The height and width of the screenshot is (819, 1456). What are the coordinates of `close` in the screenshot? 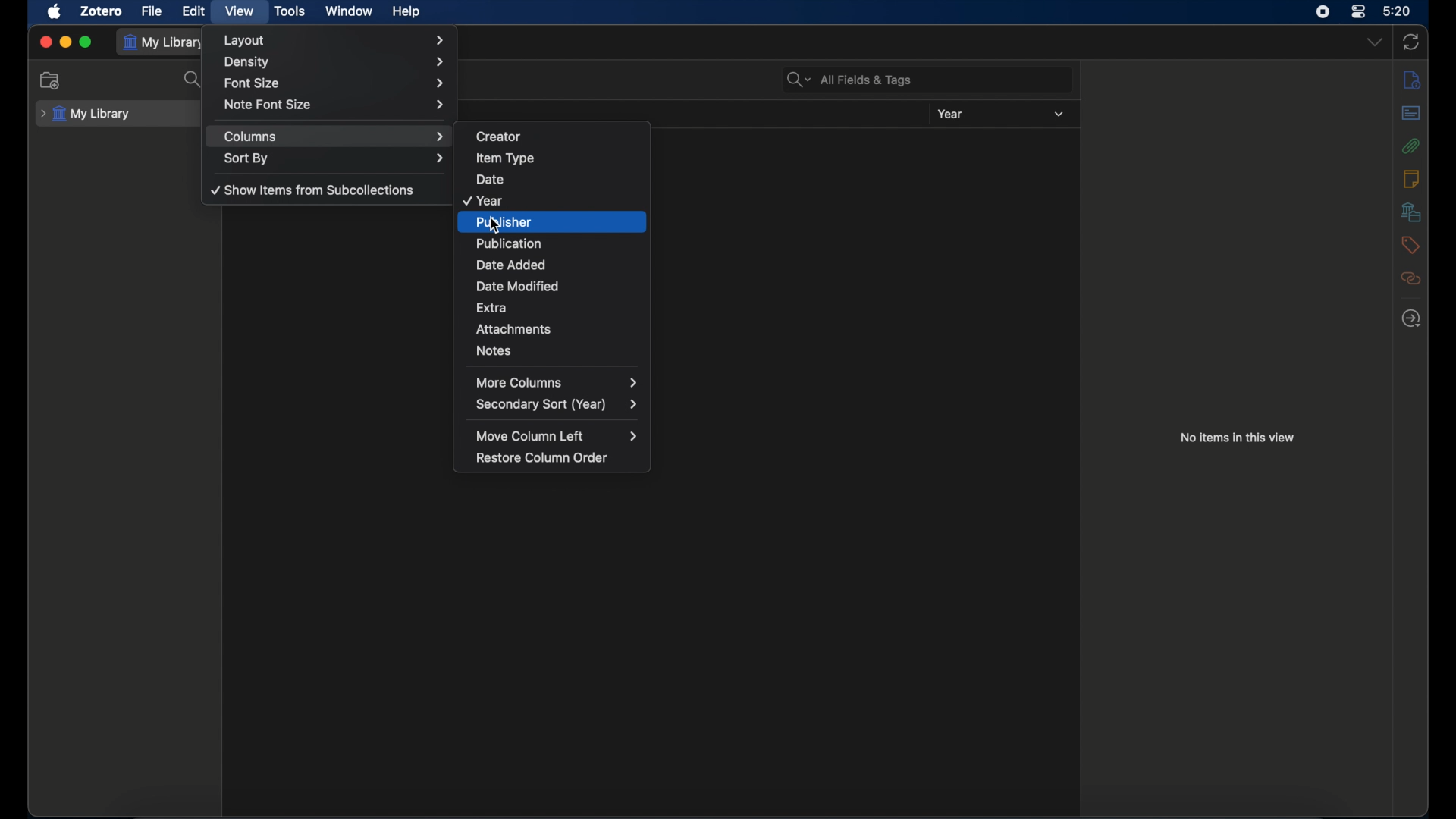 It's located at (45, 42).